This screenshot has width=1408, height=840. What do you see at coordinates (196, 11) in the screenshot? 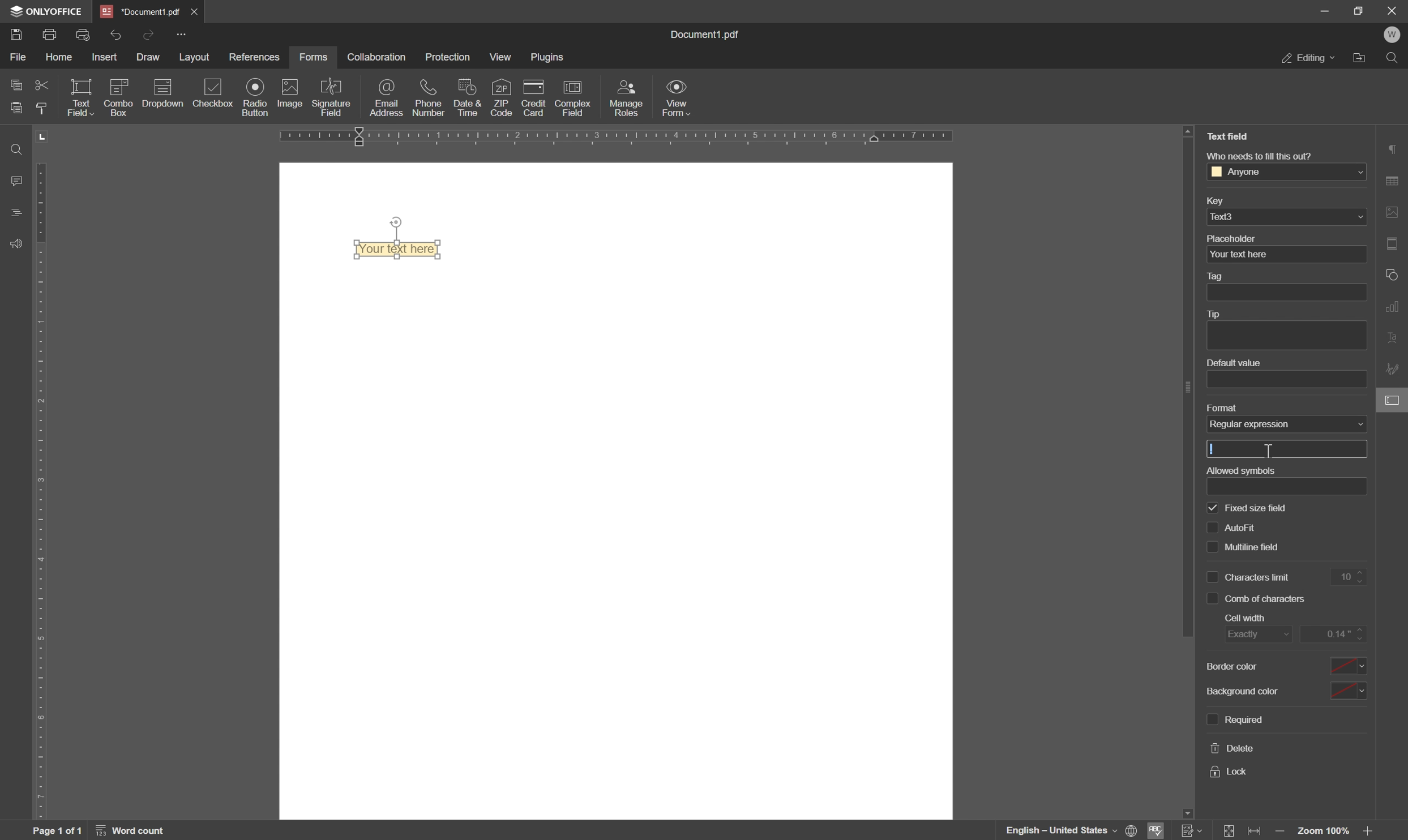
I see `*Document1.pdf` at bounding box center [196, 11].